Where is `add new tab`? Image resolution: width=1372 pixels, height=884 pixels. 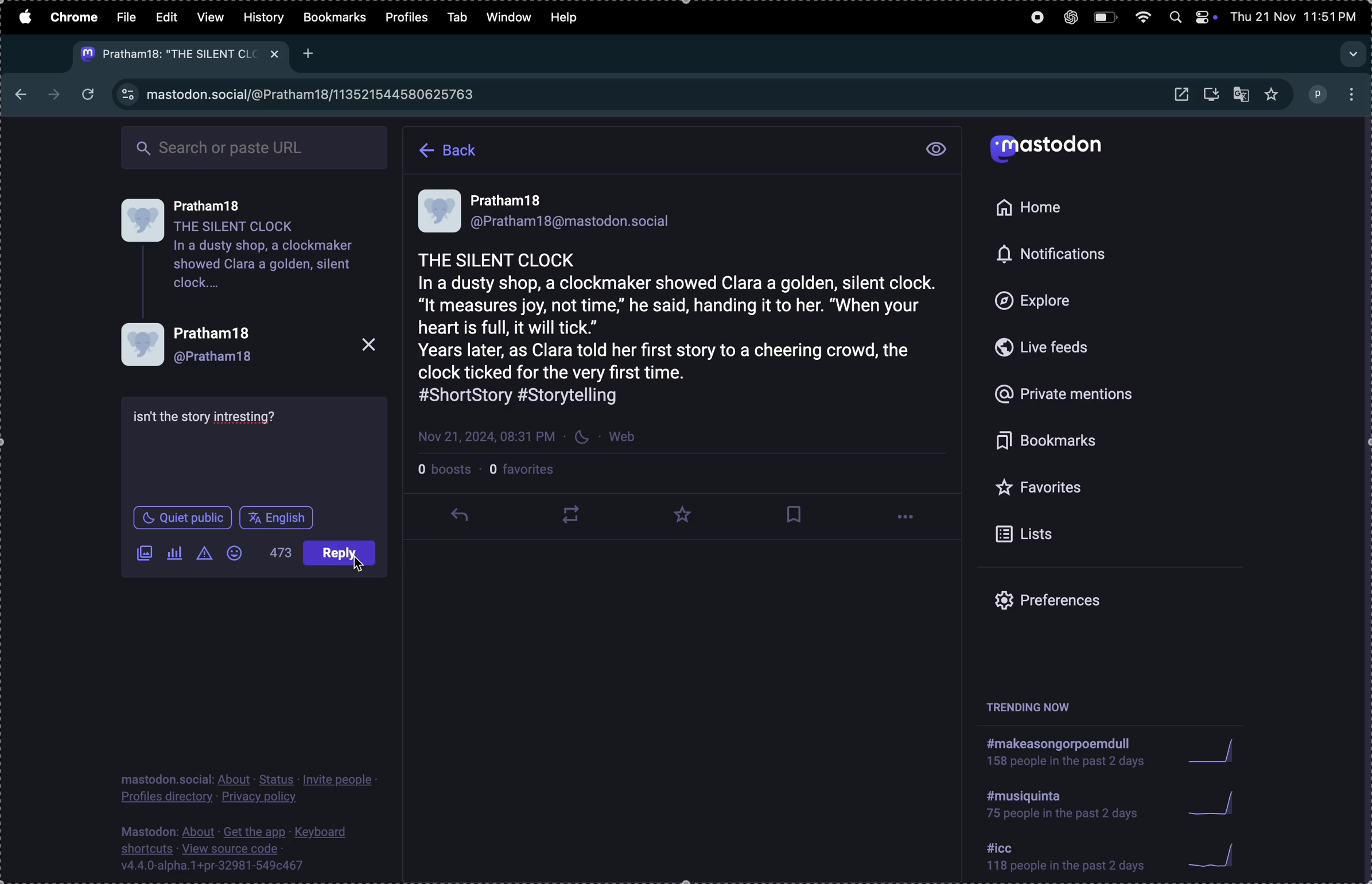 add new tab is located at coordinates (309, 56).